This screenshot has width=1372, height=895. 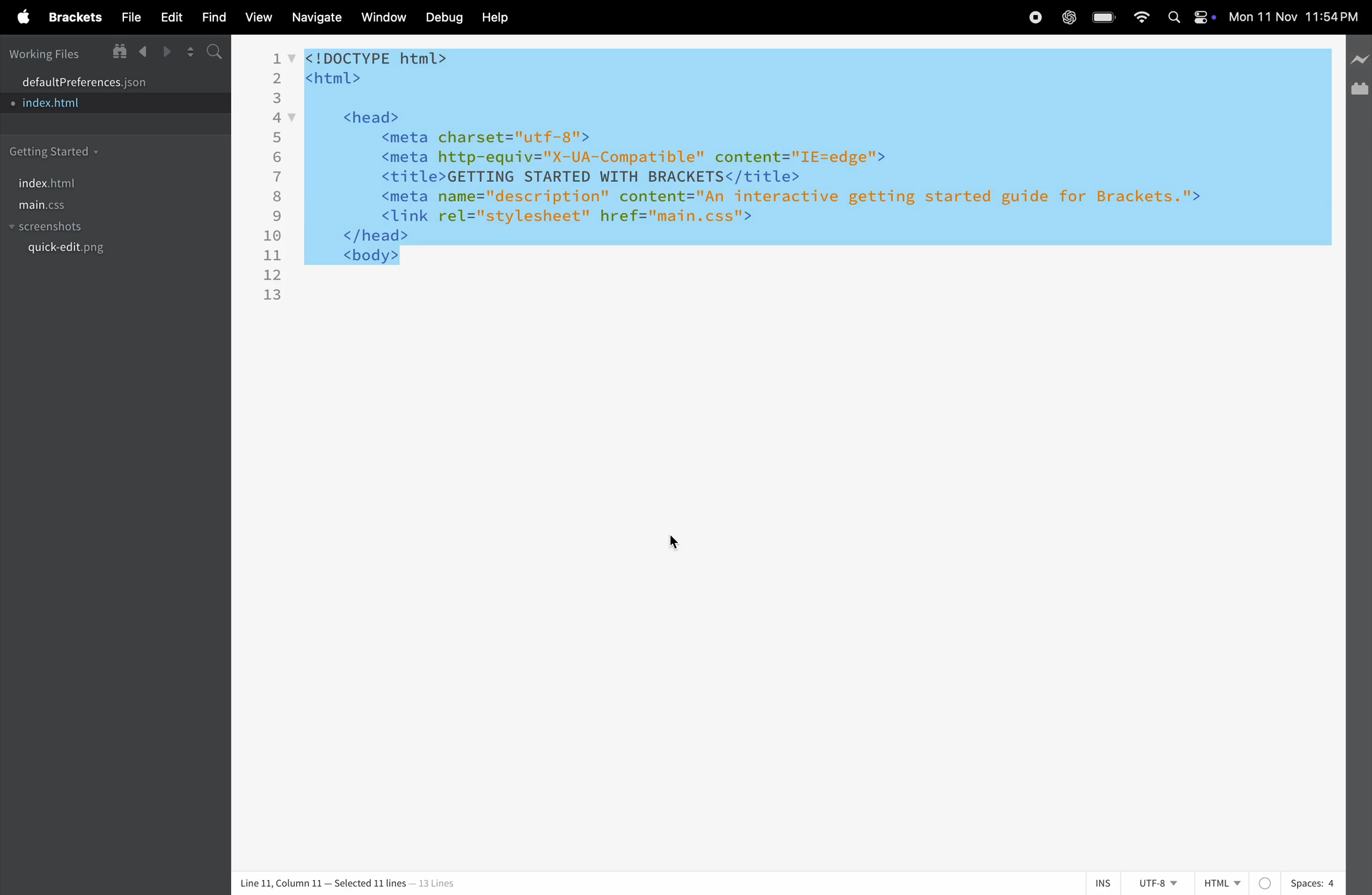 I want to click on window, so click(x=383, y=18).